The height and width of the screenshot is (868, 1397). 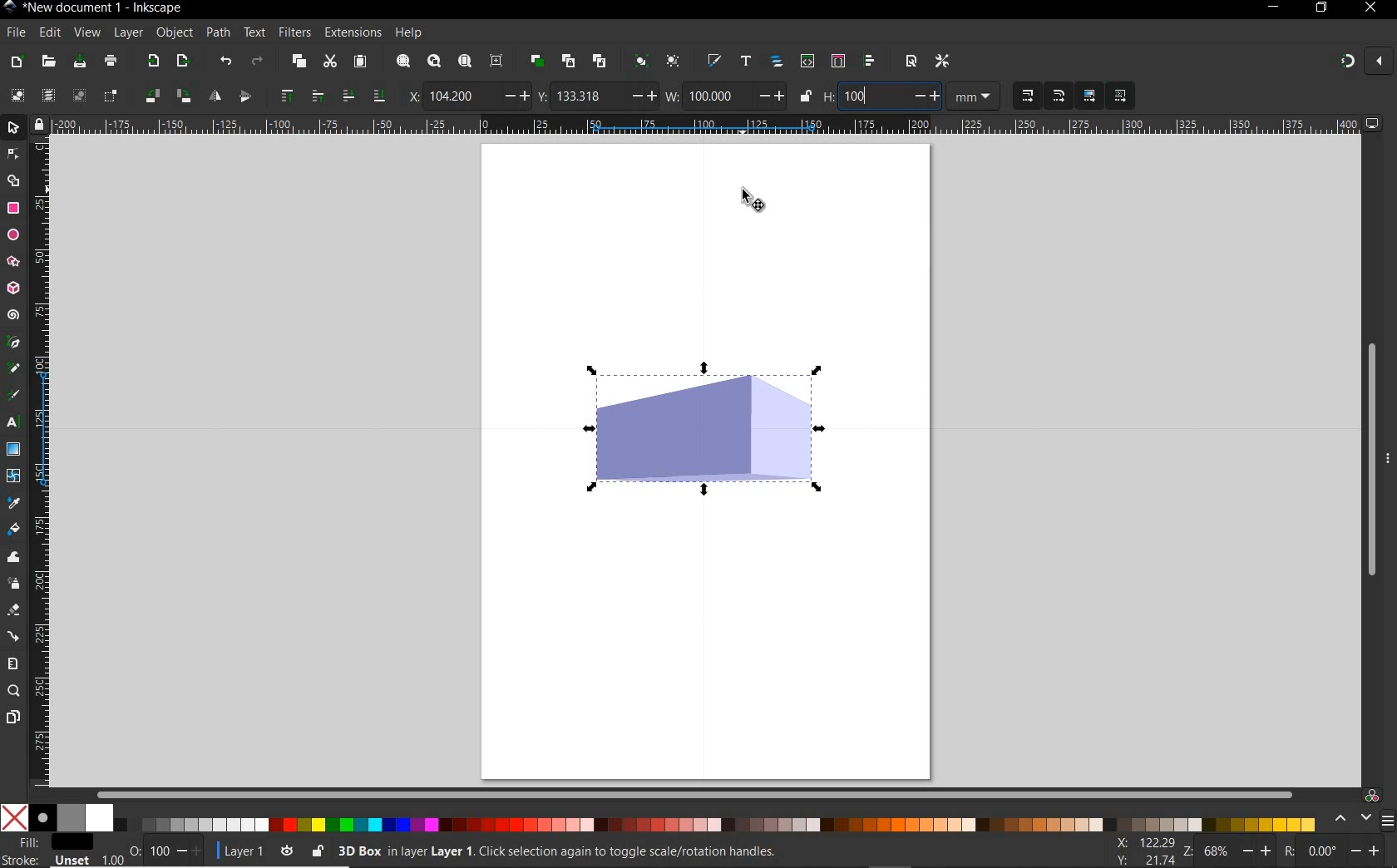 I want to click on scroll color options, so click(x=1352, y=819).